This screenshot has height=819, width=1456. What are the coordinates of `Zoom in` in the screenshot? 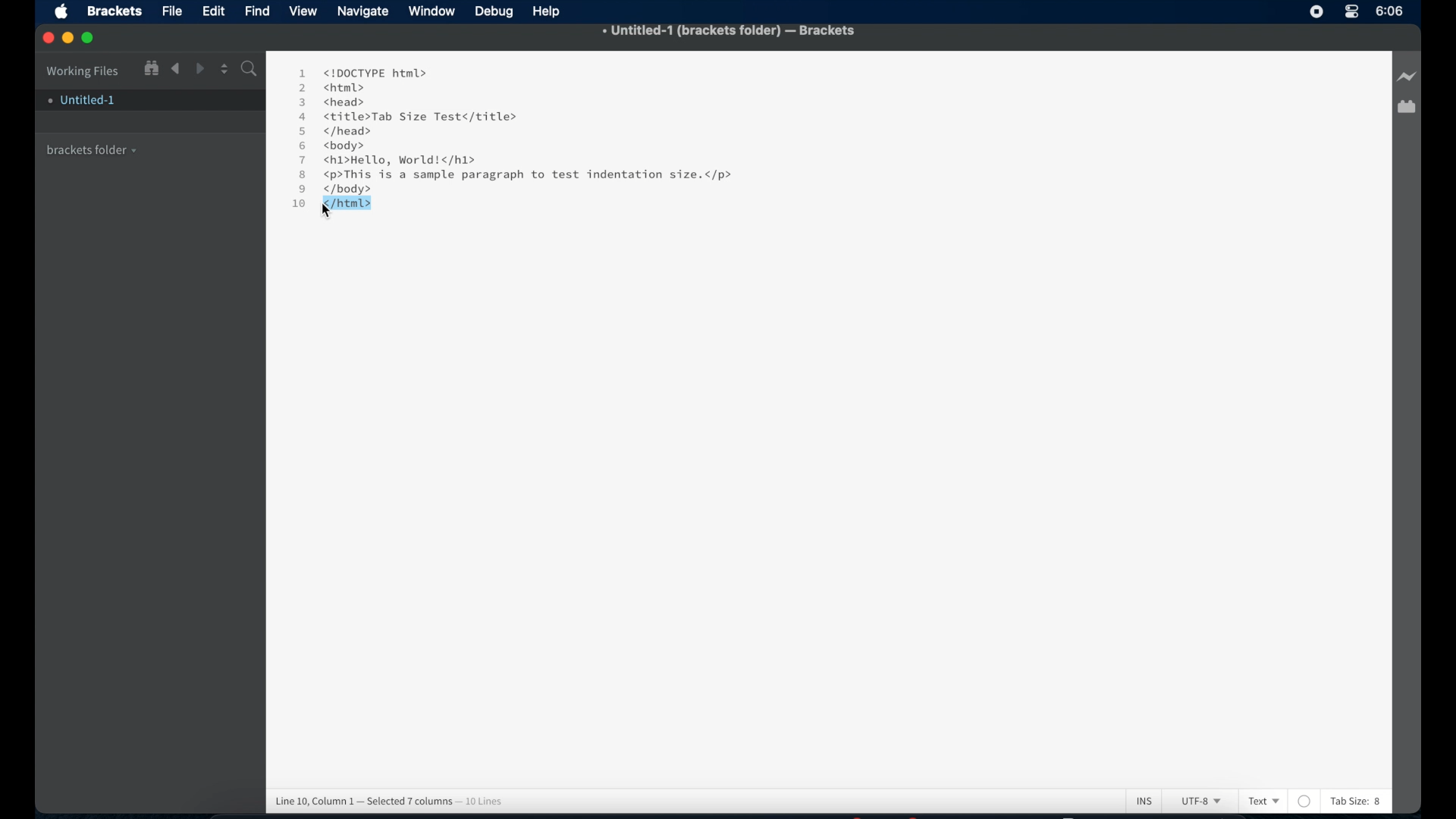 It's located at (150, 67).